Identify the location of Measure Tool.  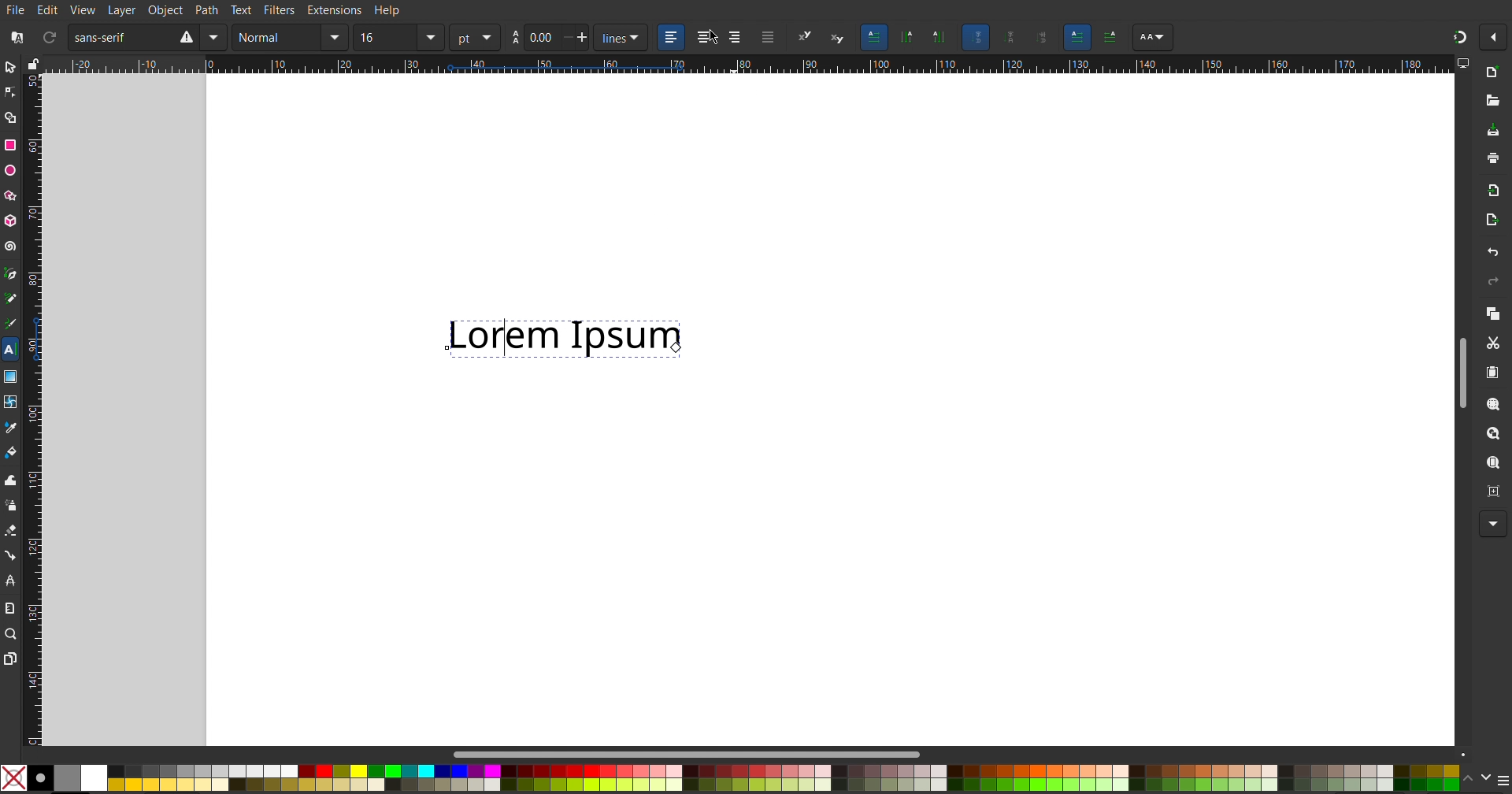
(11, 608).